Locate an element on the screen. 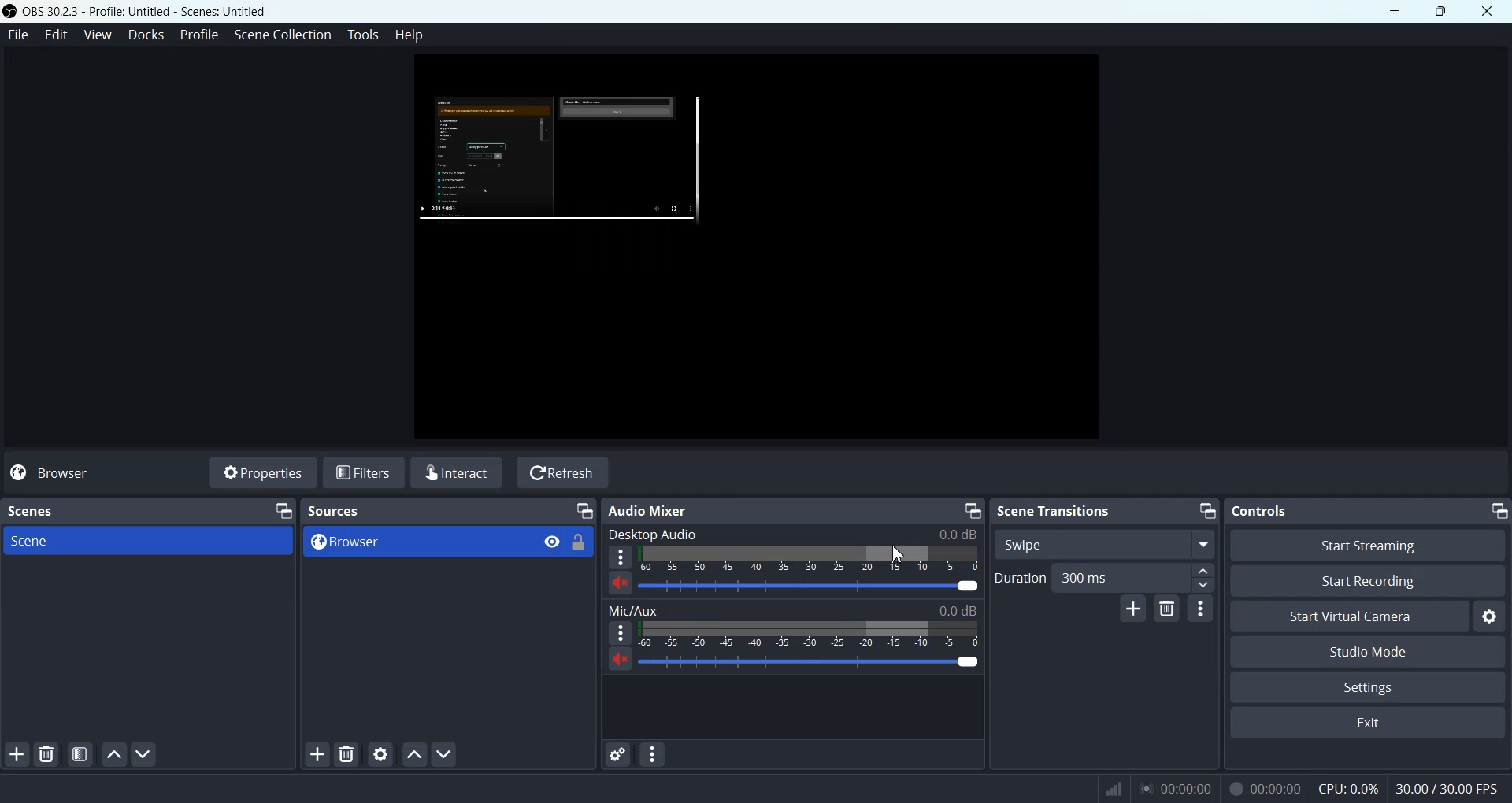  File is located at coordinates (17, 34).